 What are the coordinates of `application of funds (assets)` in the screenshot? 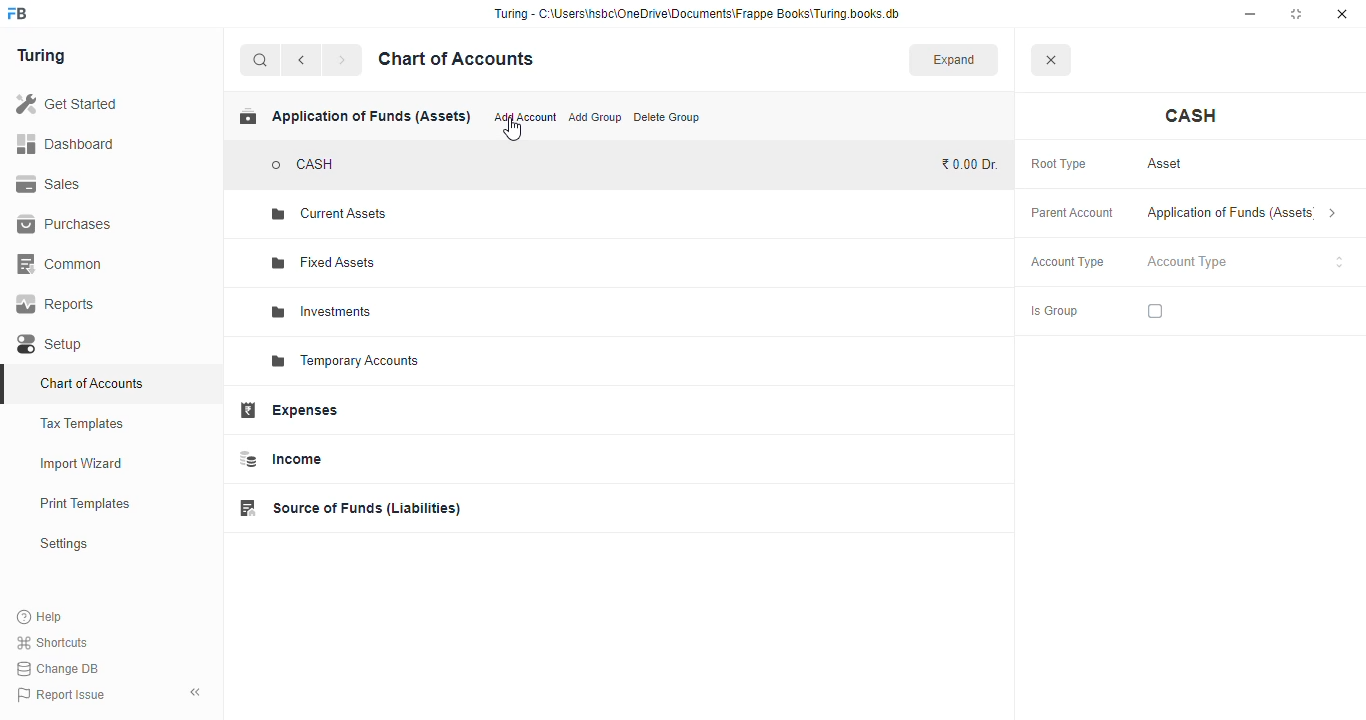 It's located at (355, 116).